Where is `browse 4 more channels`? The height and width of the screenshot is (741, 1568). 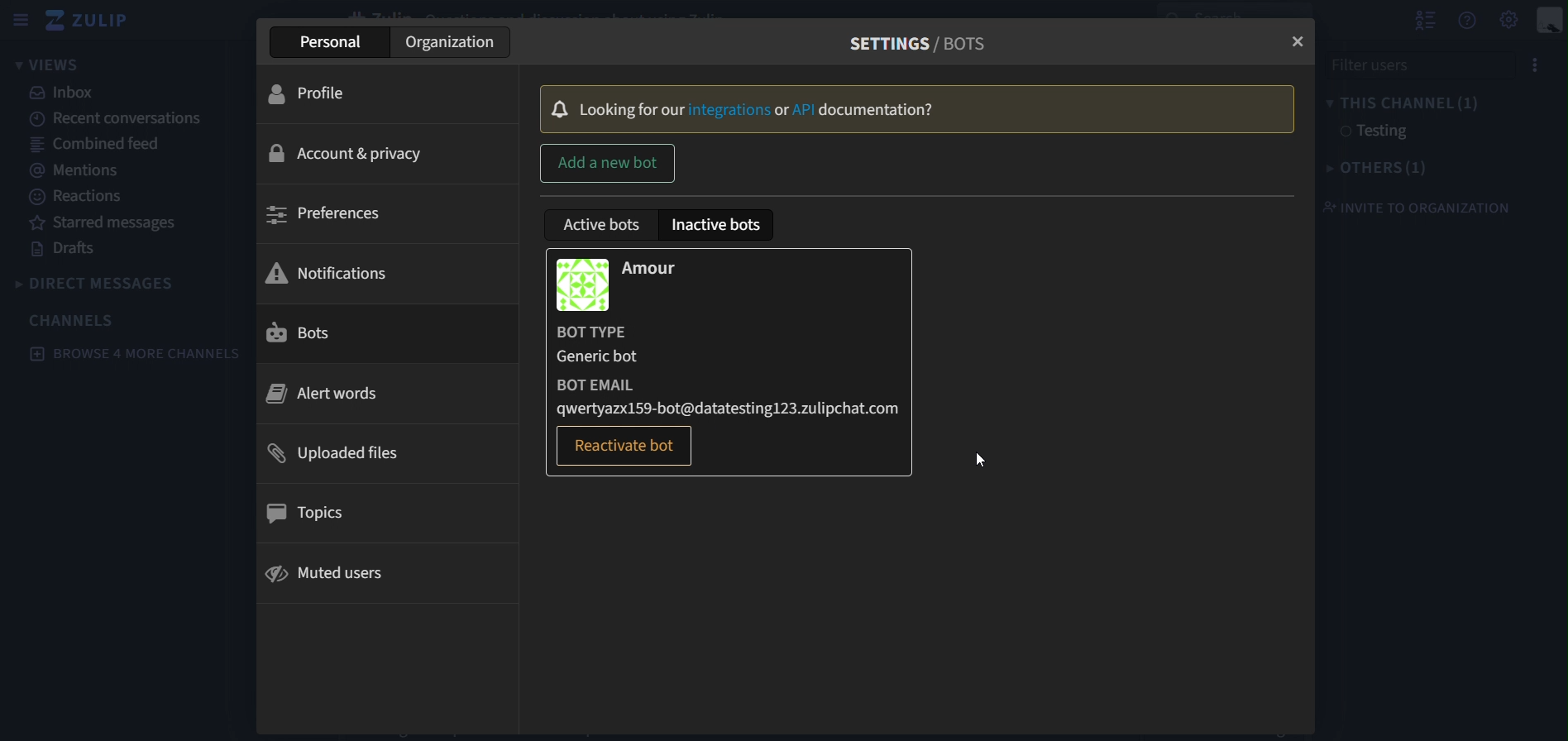 browse 4 more channels is located at coordinates (136, 354).